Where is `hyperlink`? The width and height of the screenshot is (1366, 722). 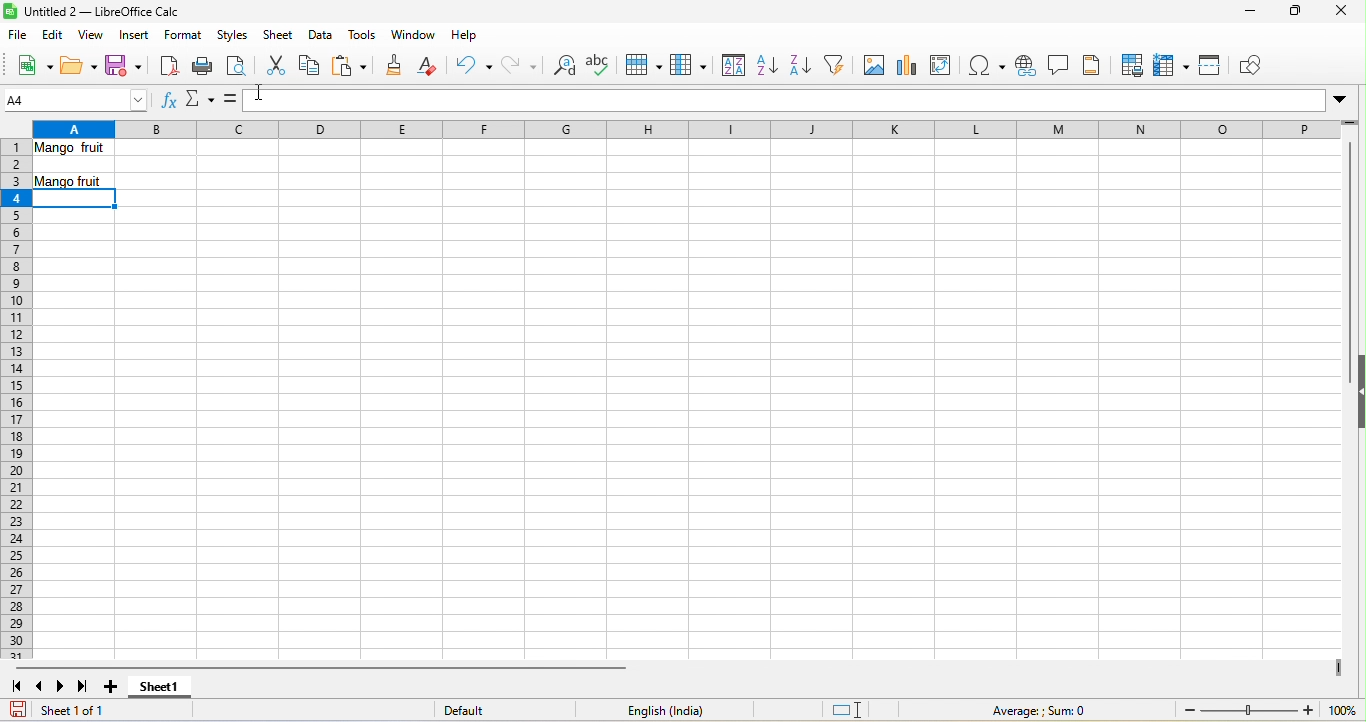
hyperlink is located at coordinates (1028, 67).